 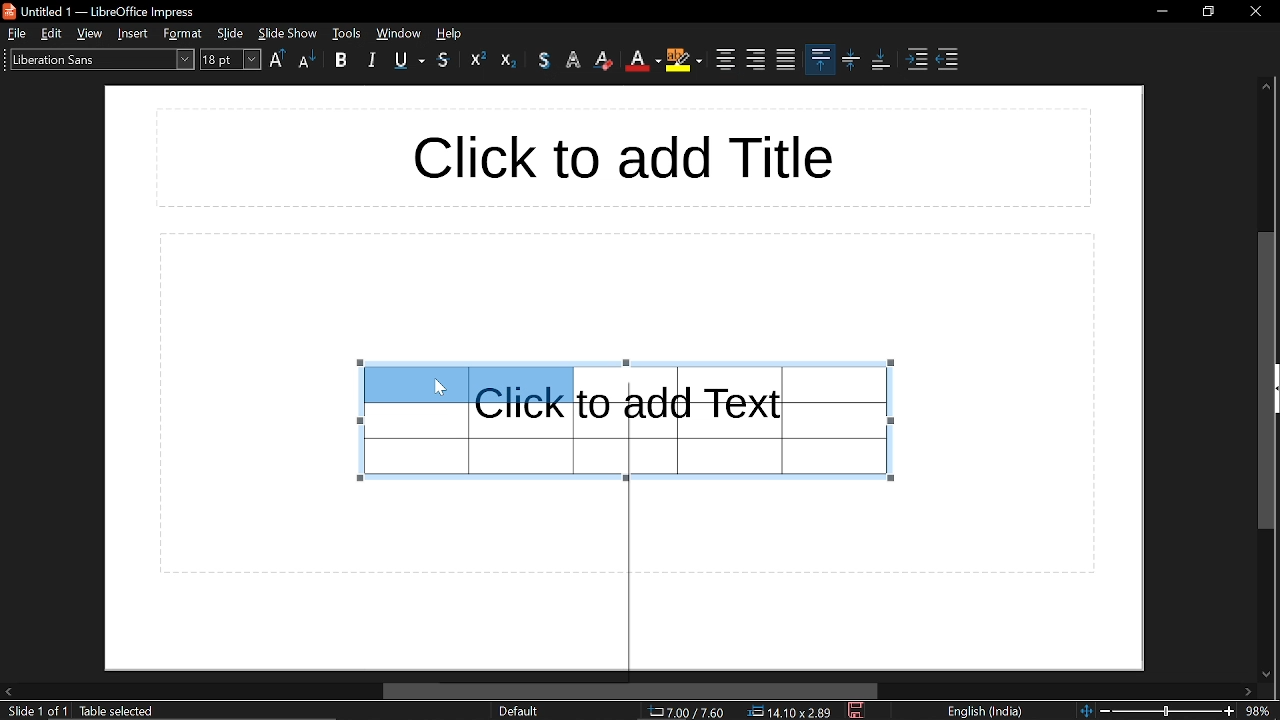 What do you see at coordinates (851, 61) in the screenshot?
I see `center vertically` at bounding box center [851, 61].